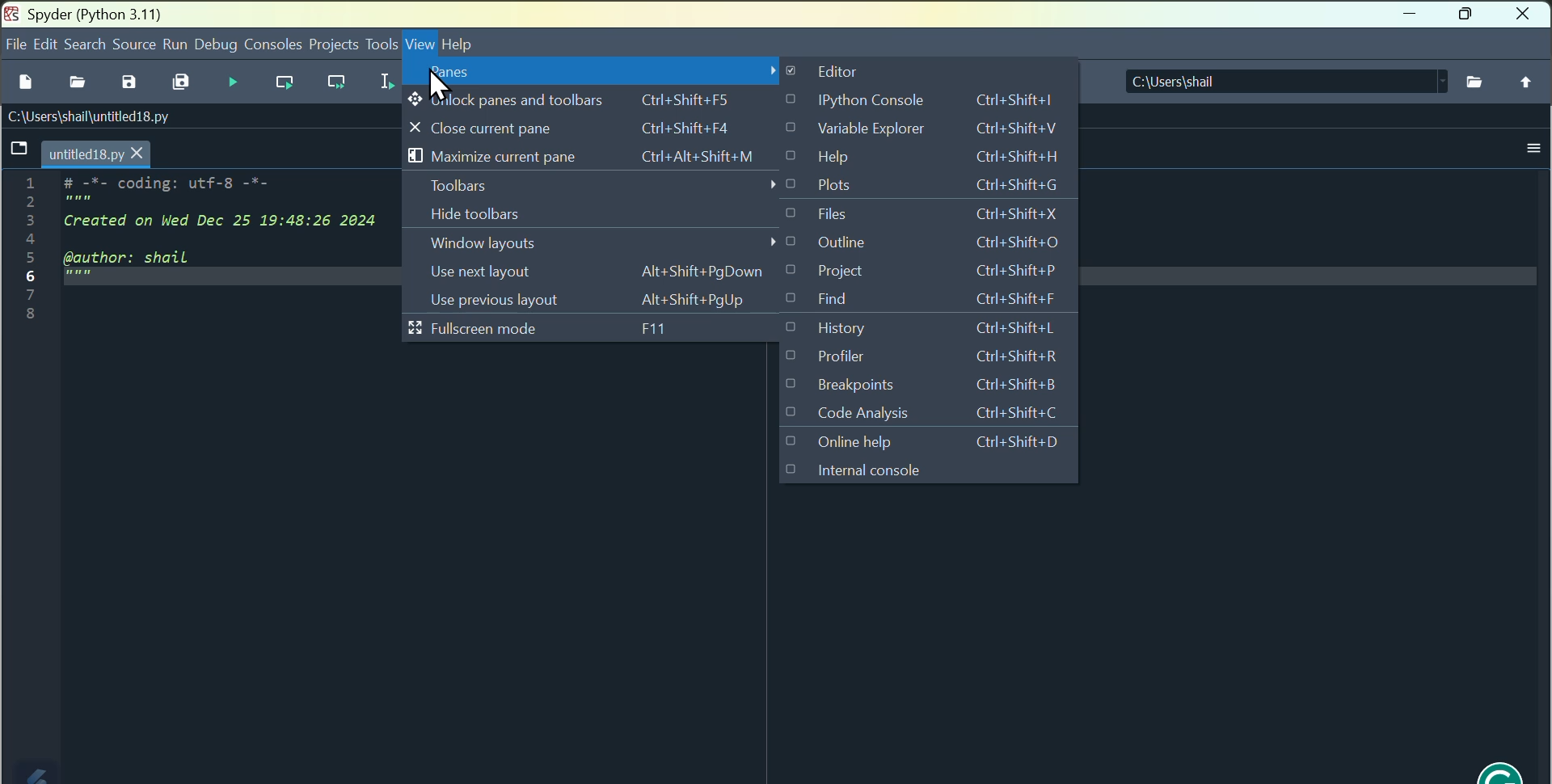 The height and width of the screenshot is (784, 1552). What do you see at coordinates (605, 247) in the screenshot?
I see `Windows layouts` at bounding box center [605, 247].